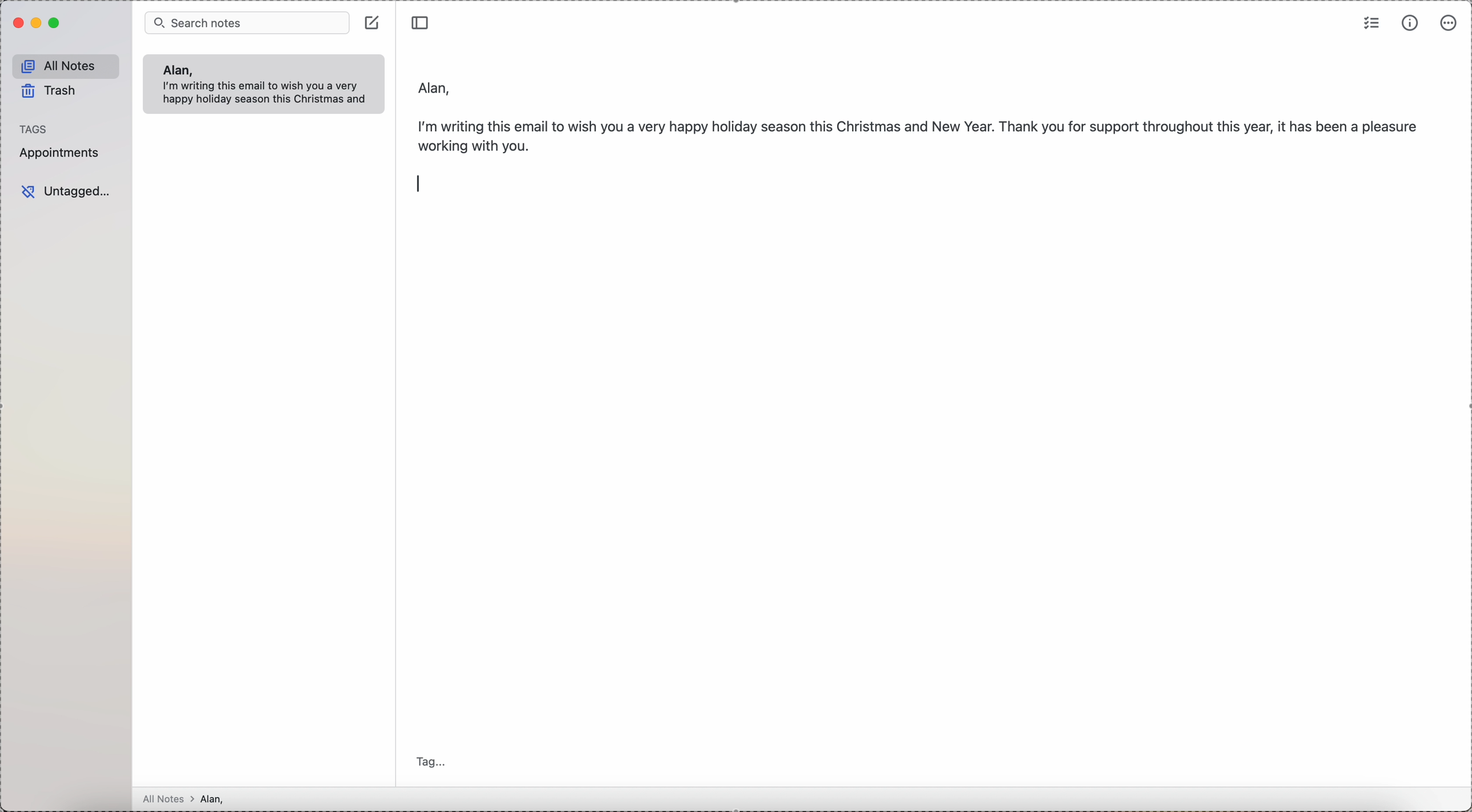 The image size is (1472, 812). What do you see at coordinates (1449, 23) in the screenshot?
I see `more options` at bounding box center [1449, 23].